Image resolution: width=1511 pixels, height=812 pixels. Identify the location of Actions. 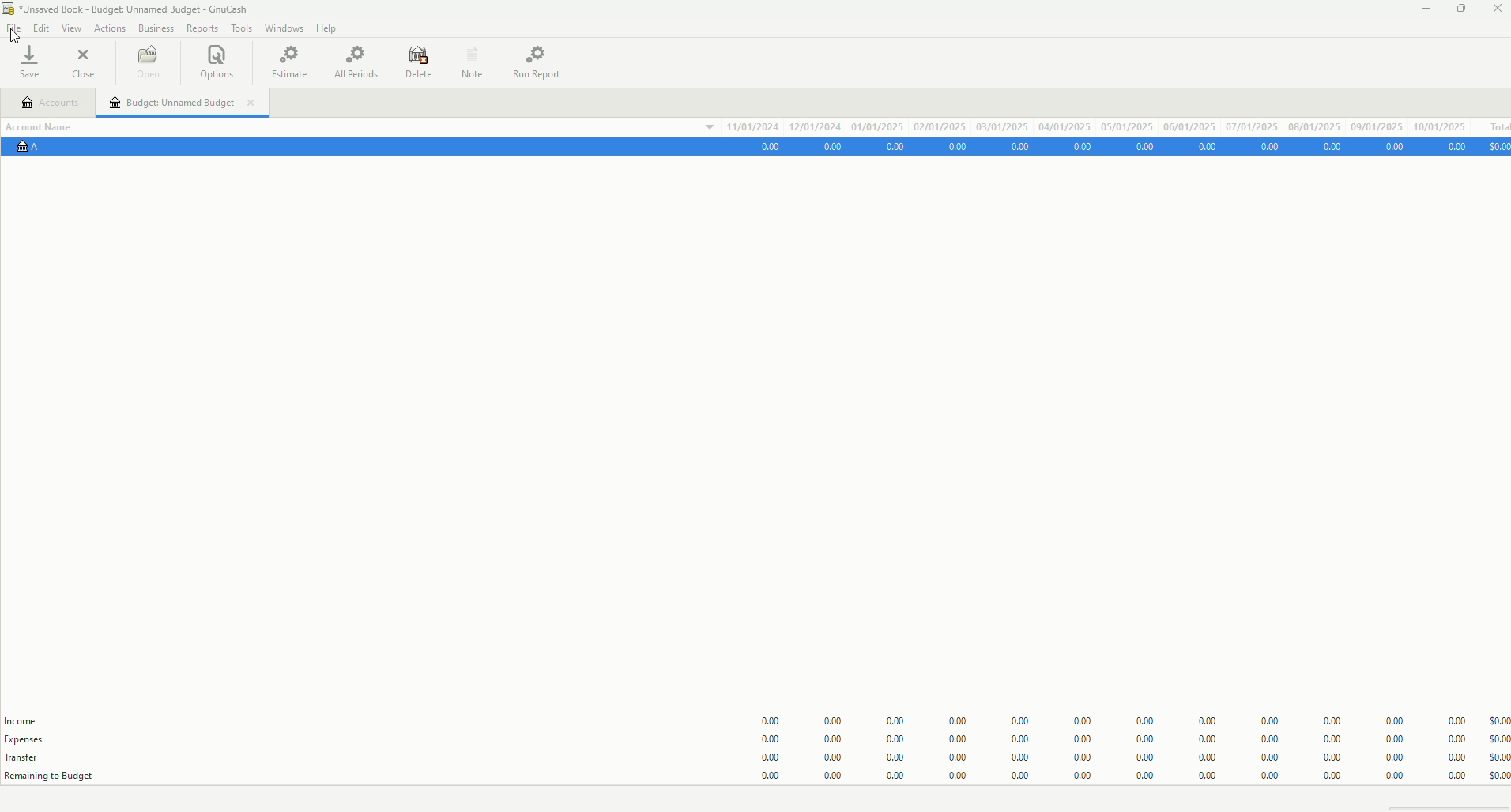
(110, 26).